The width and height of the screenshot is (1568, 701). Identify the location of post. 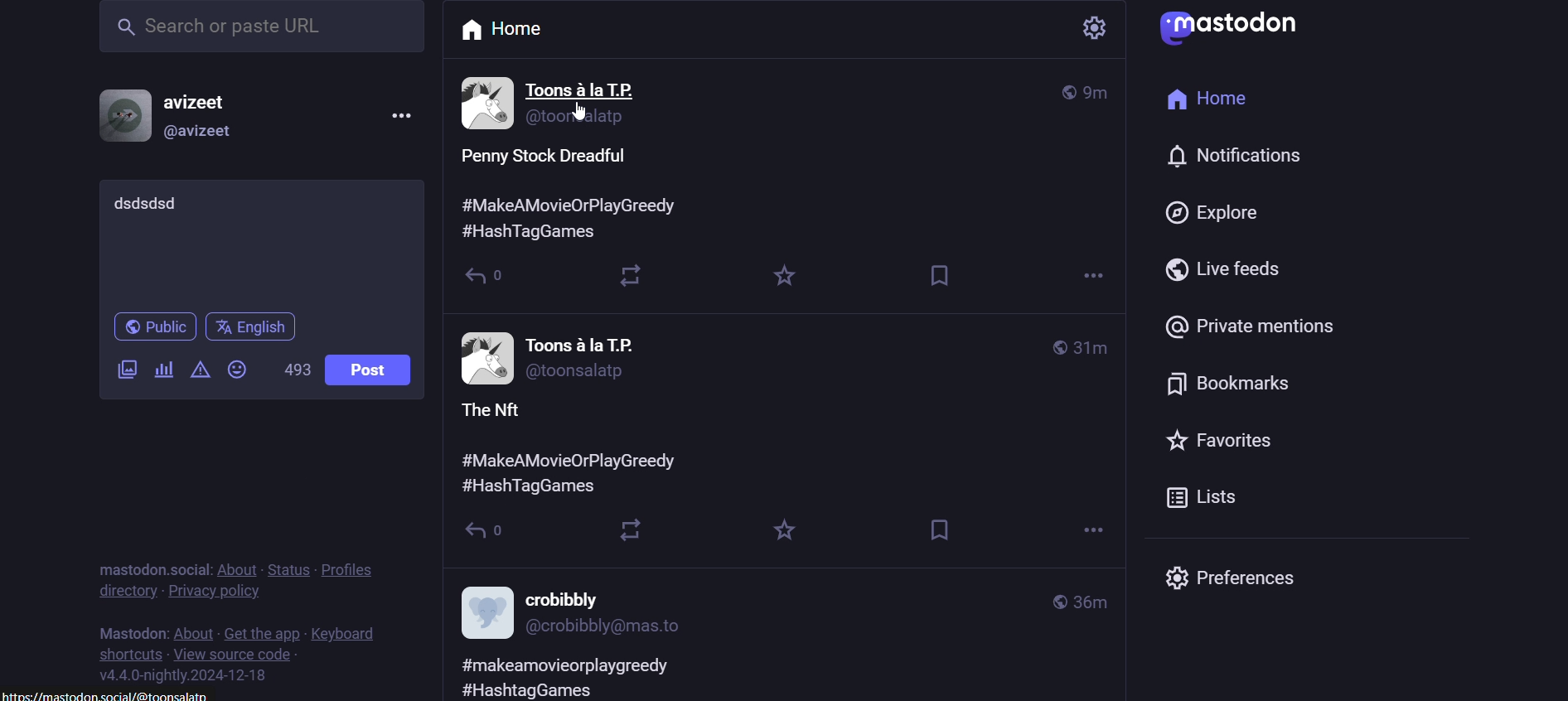
(365, 375).